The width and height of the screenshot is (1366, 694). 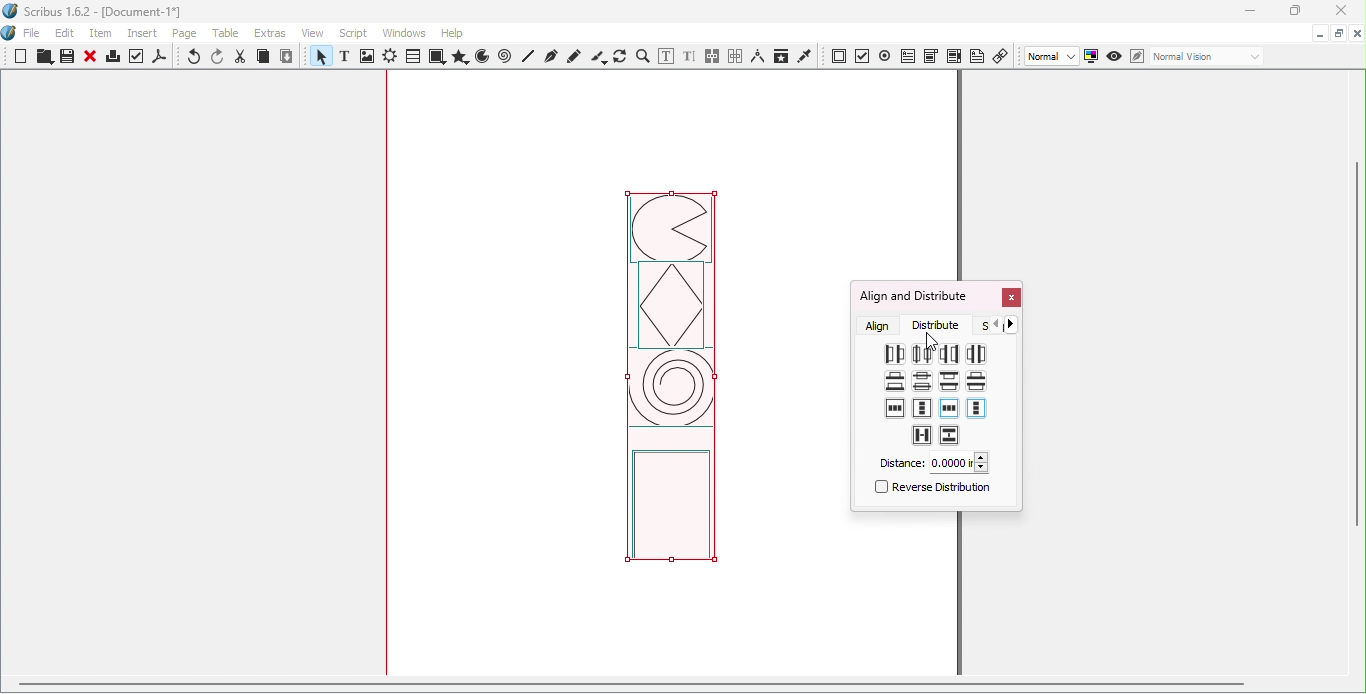 I want to click on Rotate item, so click(x=620, y=56).